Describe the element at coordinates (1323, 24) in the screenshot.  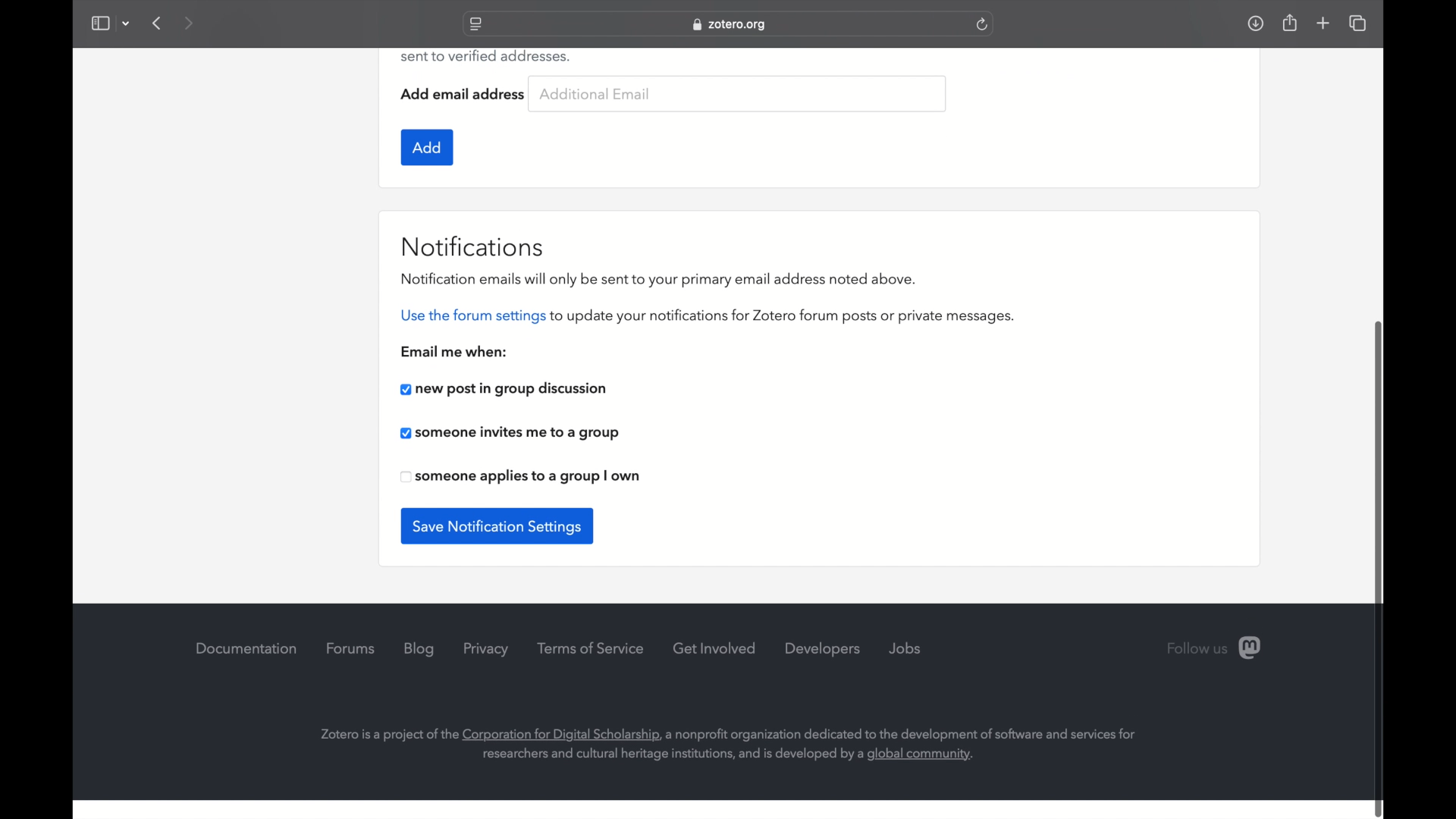
I see `new tab` at that location.